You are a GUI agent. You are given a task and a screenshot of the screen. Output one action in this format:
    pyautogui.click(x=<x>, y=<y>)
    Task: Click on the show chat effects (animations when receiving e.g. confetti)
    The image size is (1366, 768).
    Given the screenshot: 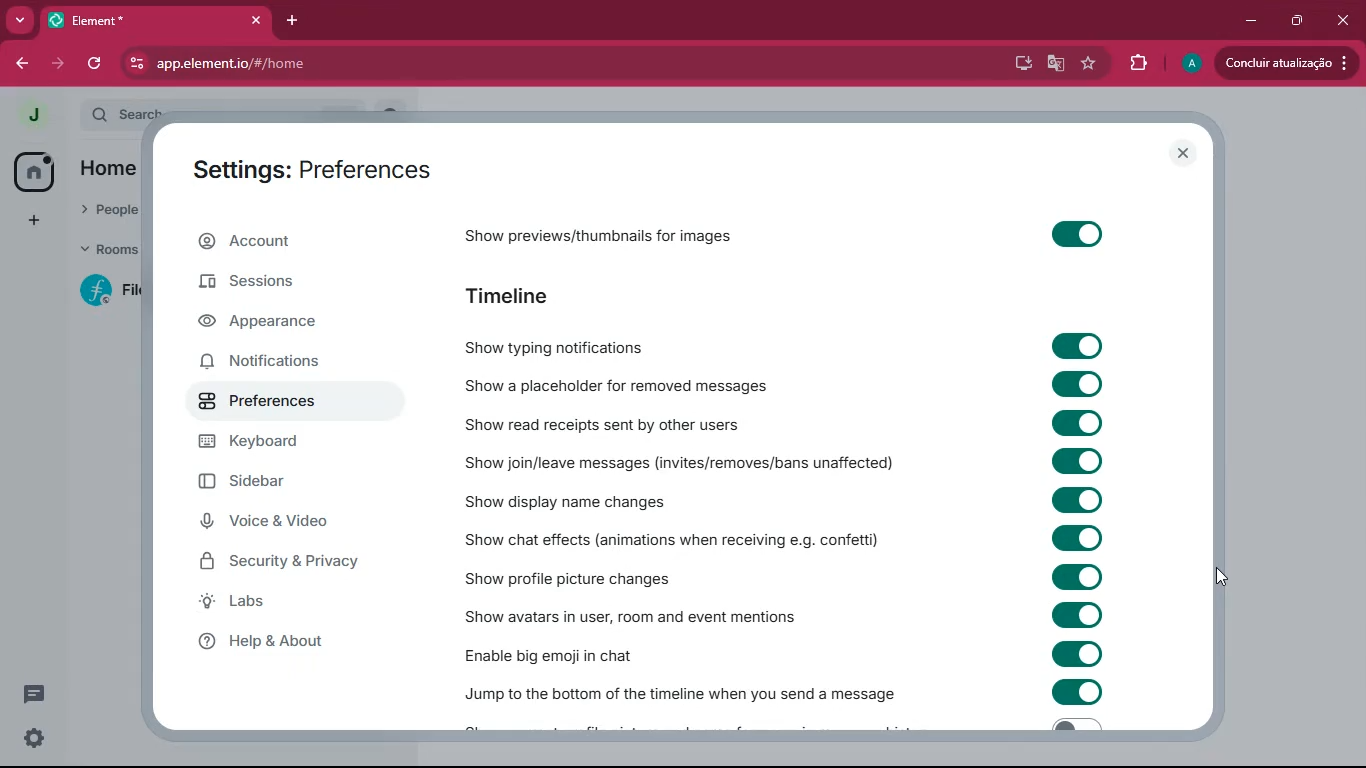 What is the action you would take?
    pyautogui.click(x=680, y=539)
    